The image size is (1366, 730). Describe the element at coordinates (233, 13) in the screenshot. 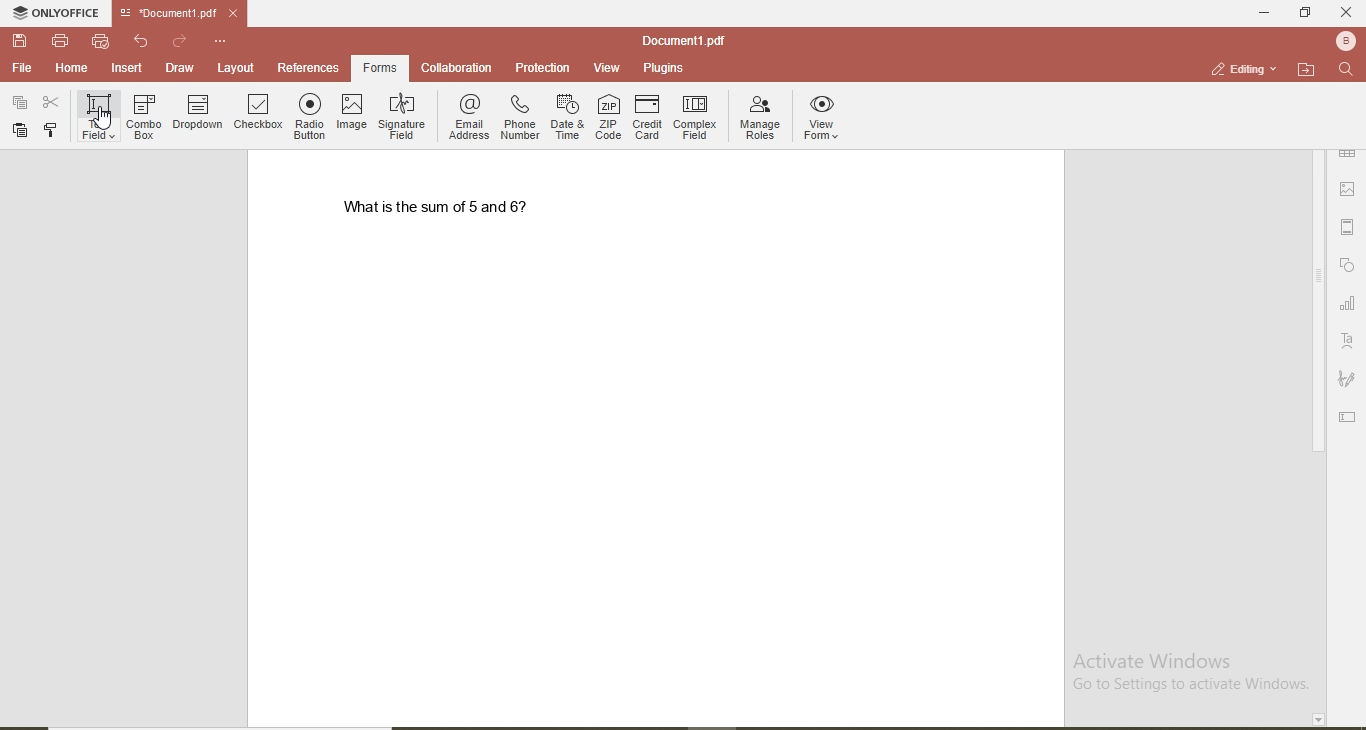

I see `close` at that location.